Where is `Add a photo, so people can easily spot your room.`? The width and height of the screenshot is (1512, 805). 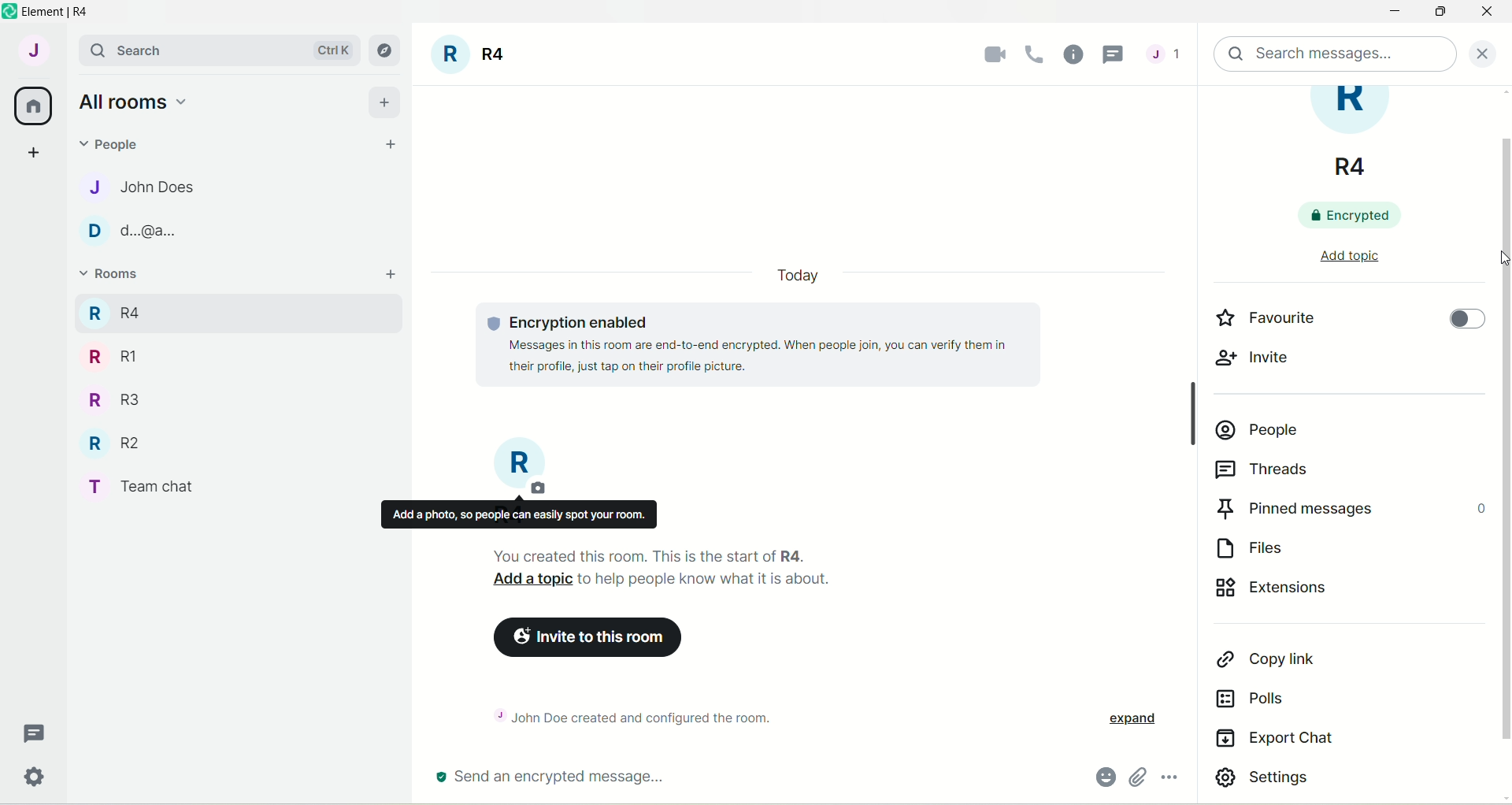
Add a photo, so people can easily spot your room. is located at coordinates (518, 514).